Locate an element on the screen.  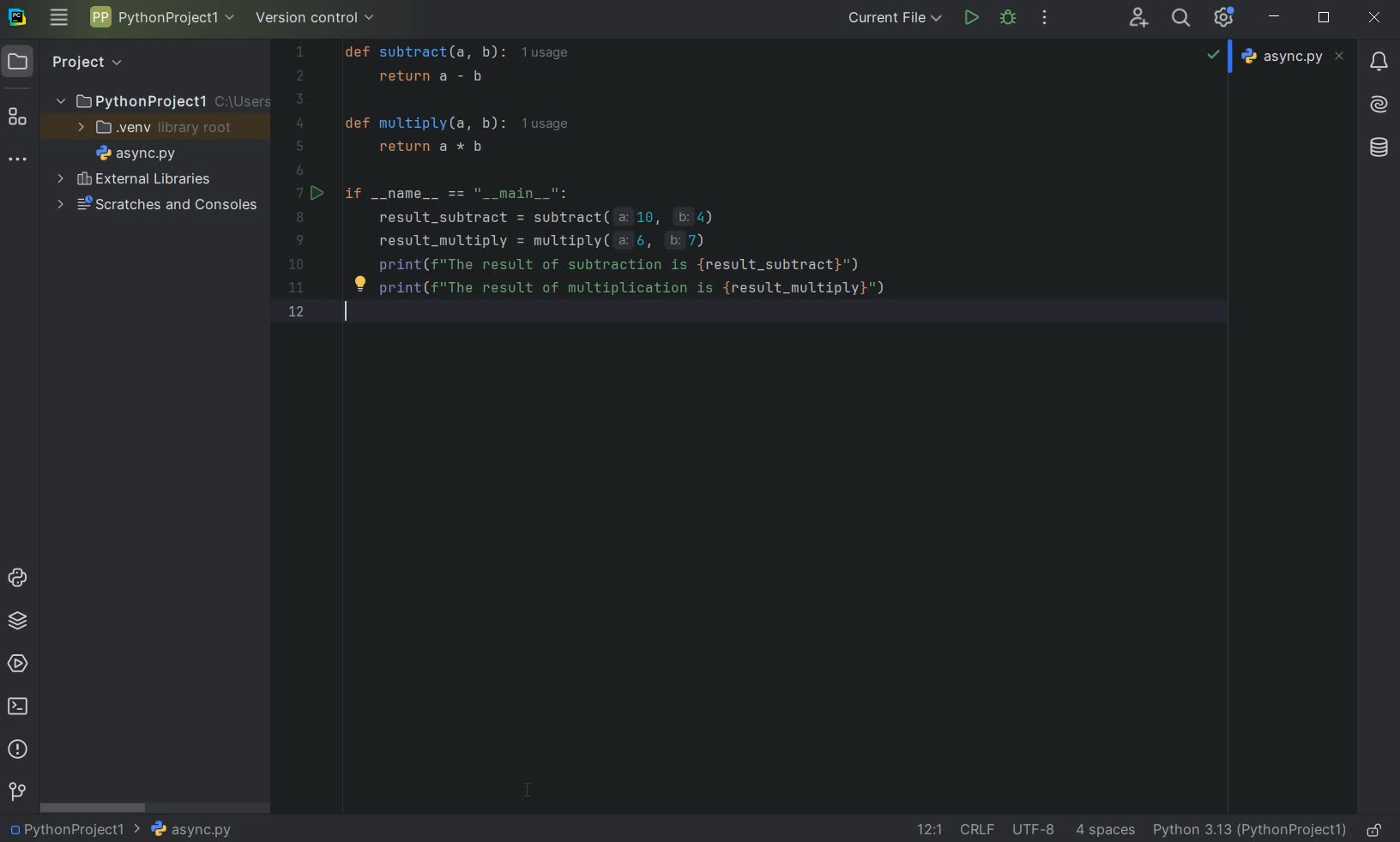
problems is located at coordinates (16, 748).